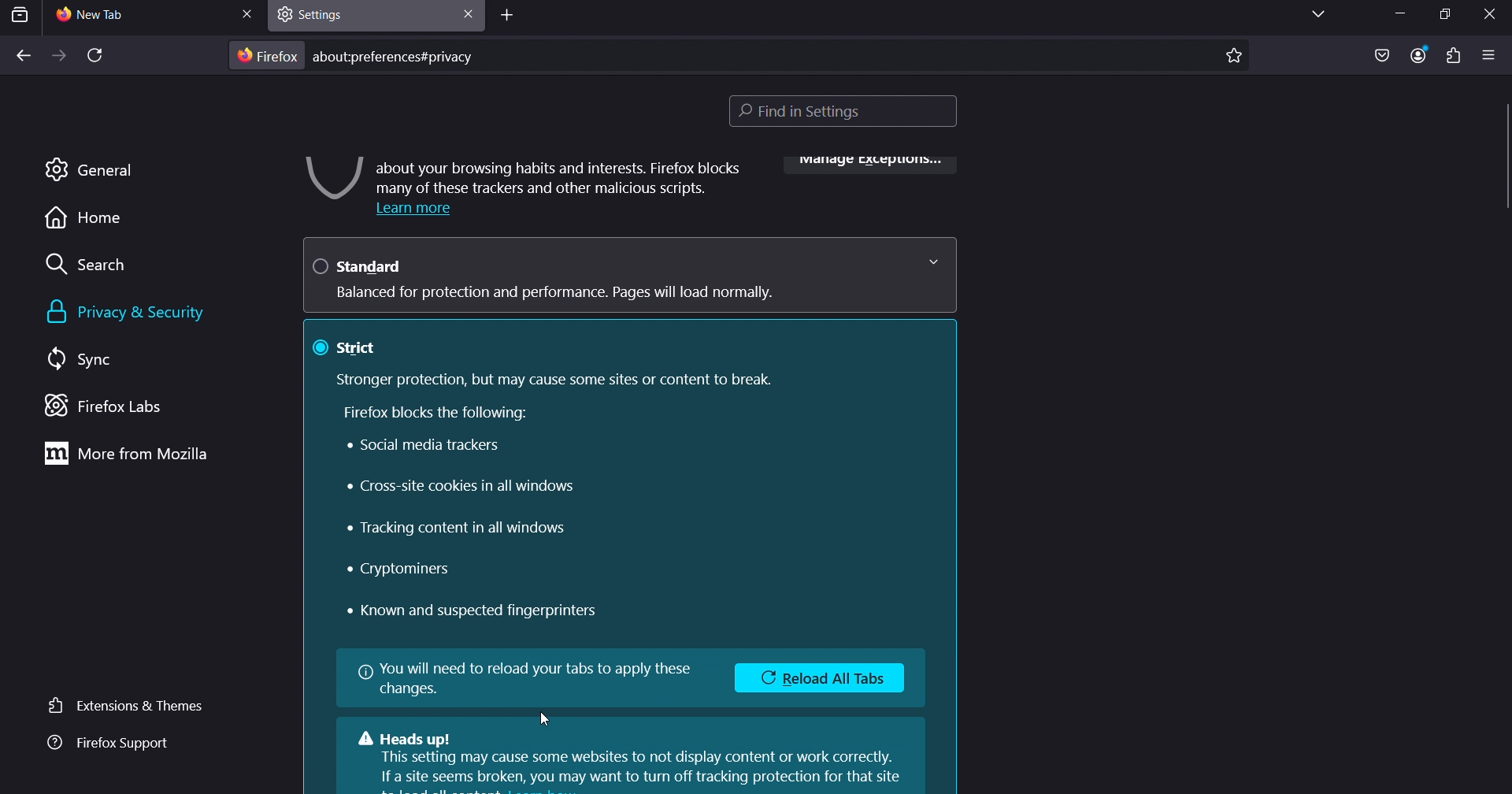  I want to click on general, so click(89, 168).